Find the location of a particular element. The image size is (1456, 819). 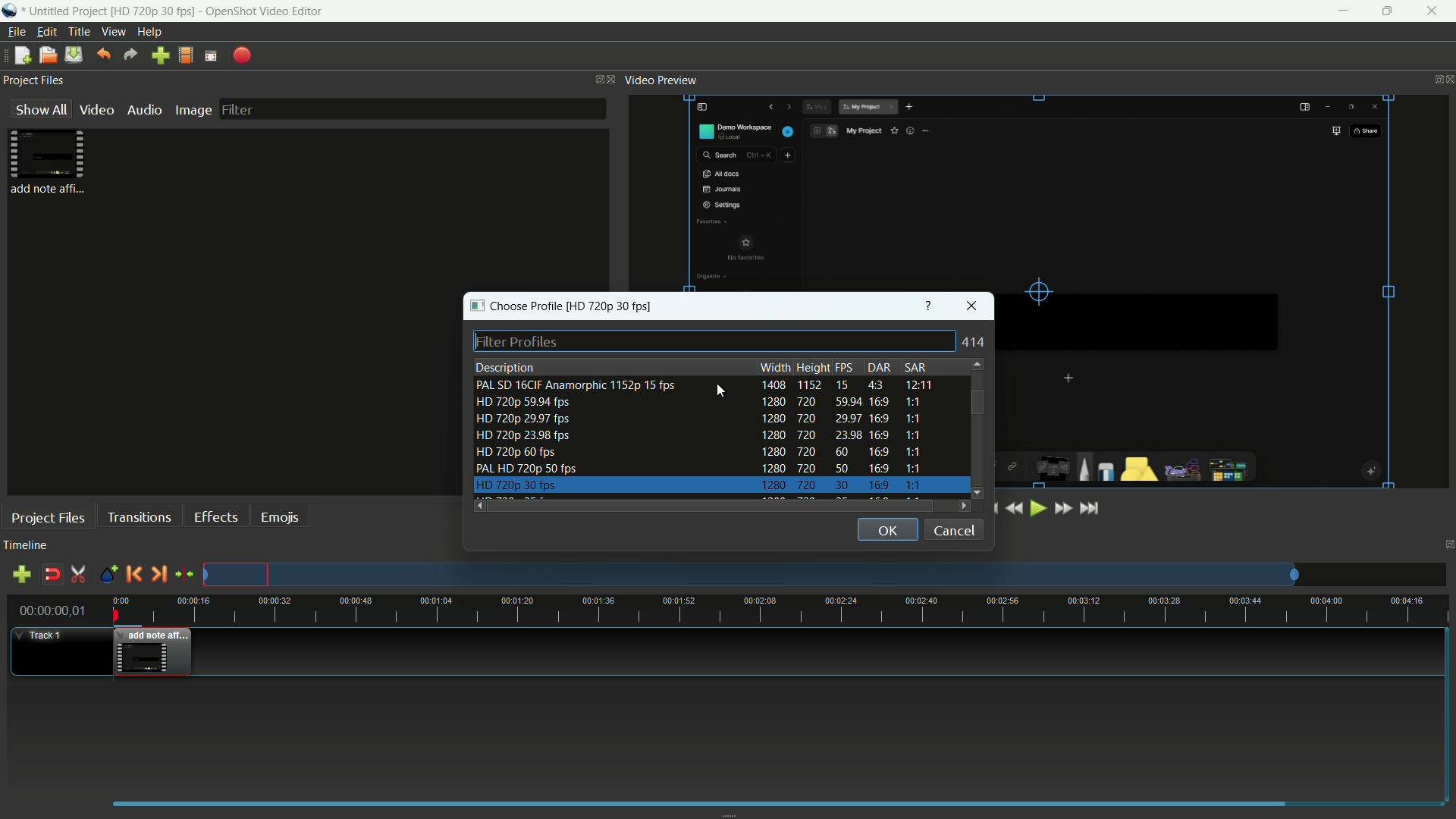

help menu is located at coordinates (149, 32).